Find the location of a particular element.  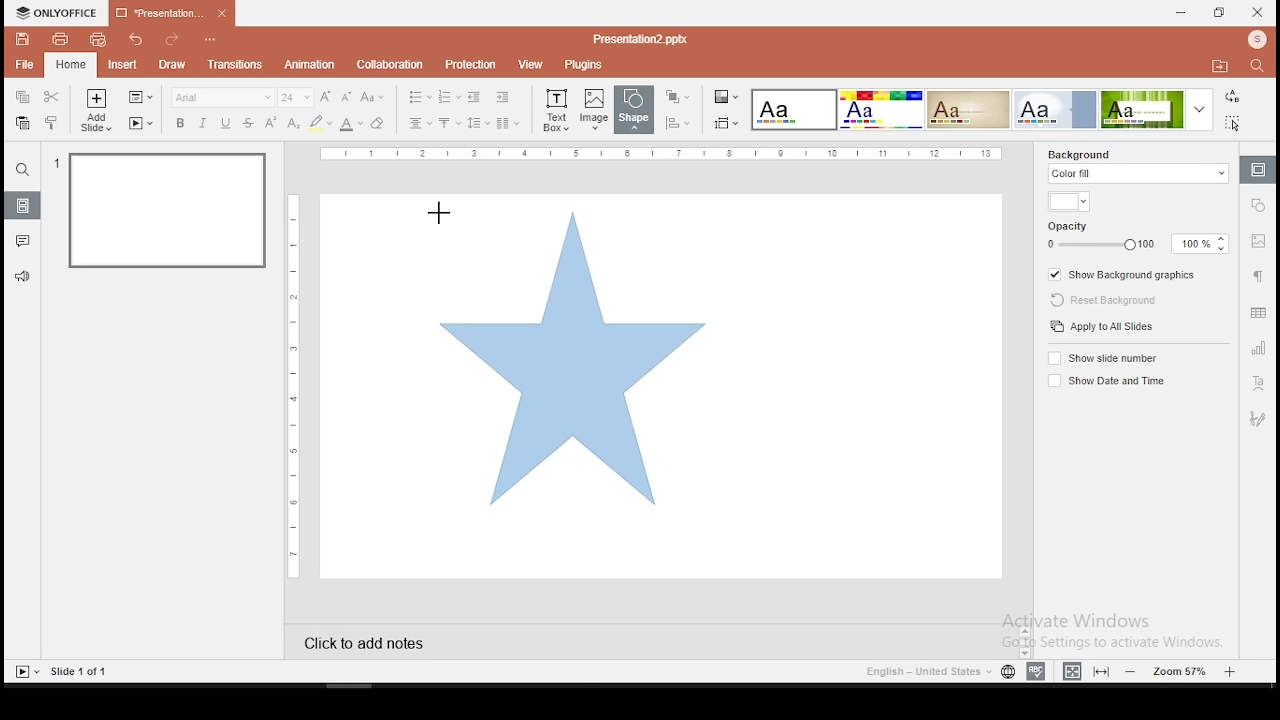

chart settings is located at coordinates (1256, 347).